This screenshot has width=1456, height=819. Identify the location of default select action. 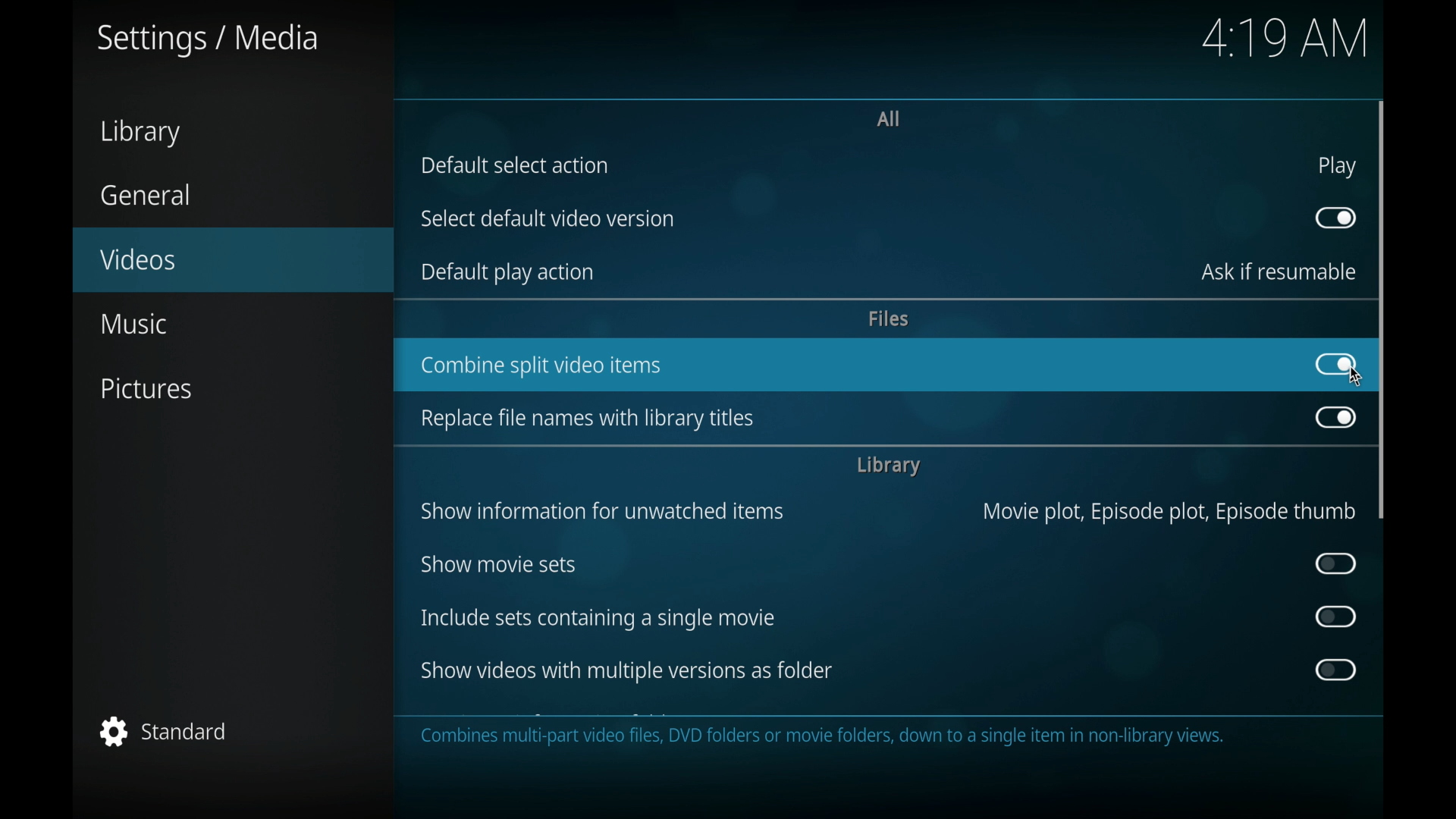
(514, 165).